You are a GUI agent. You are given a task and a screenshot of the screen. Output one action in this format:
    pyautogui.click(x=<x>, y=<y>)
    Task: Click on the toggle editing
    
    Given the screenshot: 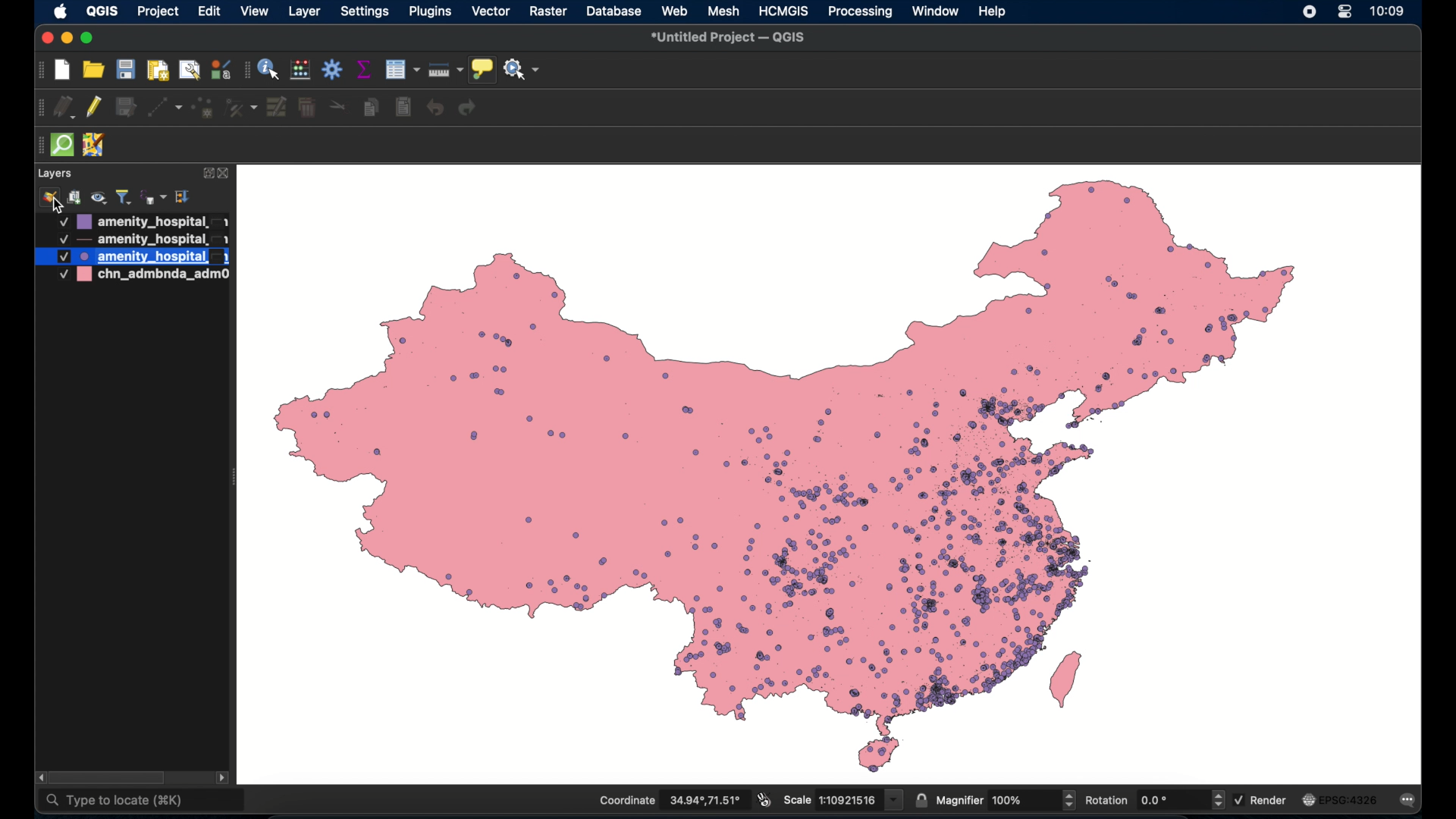 What is the action you would take?
    pyautogui.click(x=95, y=108)
    